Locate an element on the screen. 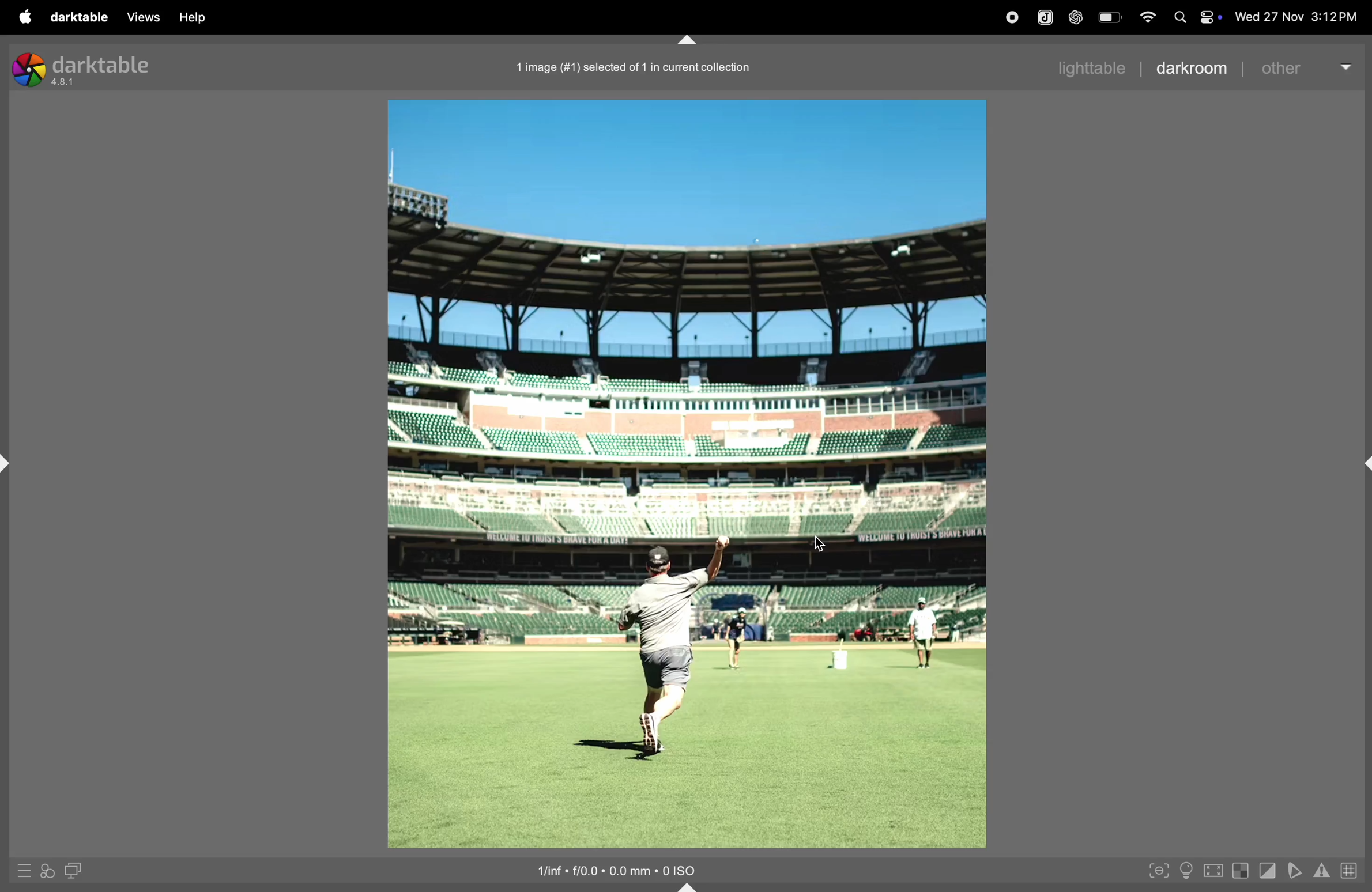 This screenshot has height=892, width=1372. shift+ctrl+t is located at coordinates (688, 40).